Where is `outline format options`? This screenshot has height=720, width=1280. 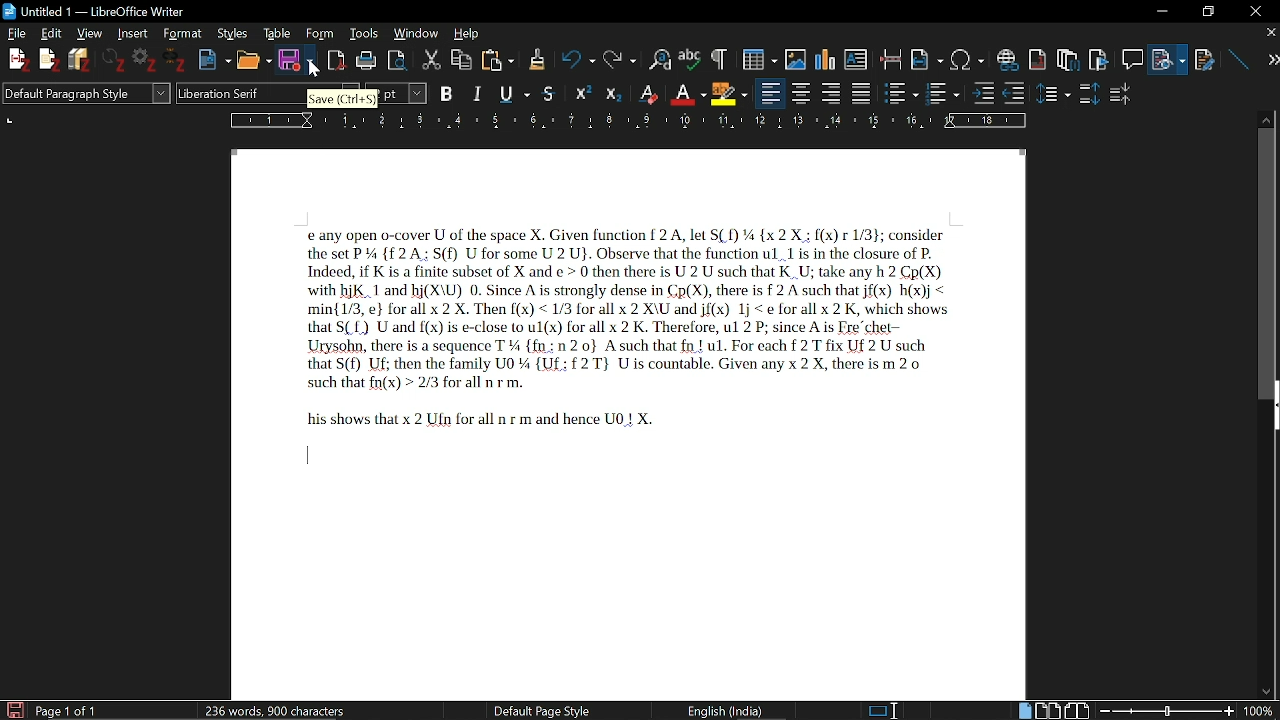 outline format options is located at coordinates (1019, 93).